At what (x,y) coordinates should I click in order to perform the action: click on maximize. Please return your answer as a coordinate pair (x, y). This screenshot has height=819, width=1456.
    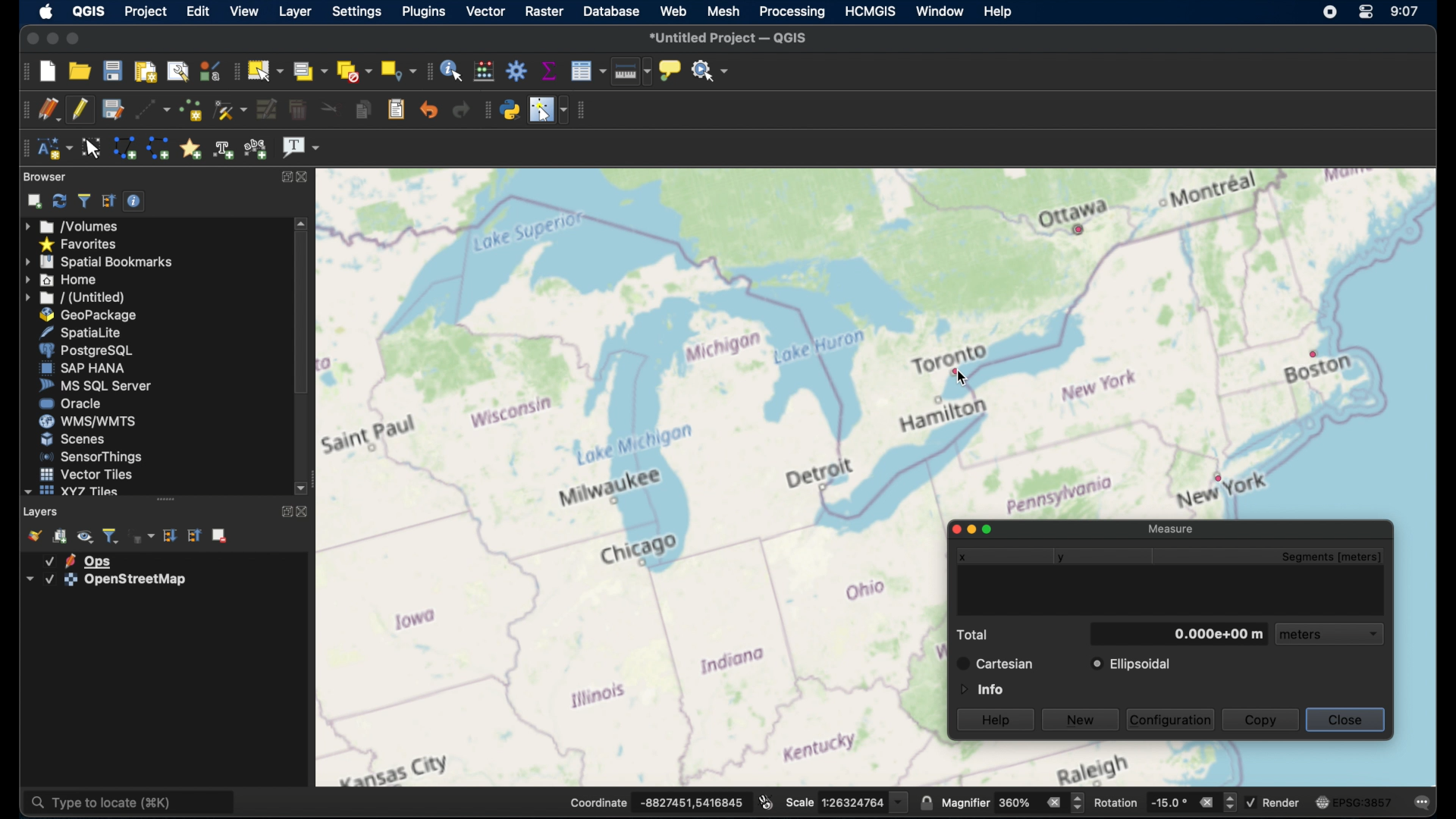
    Looking at the image, I should click on (287, 177).